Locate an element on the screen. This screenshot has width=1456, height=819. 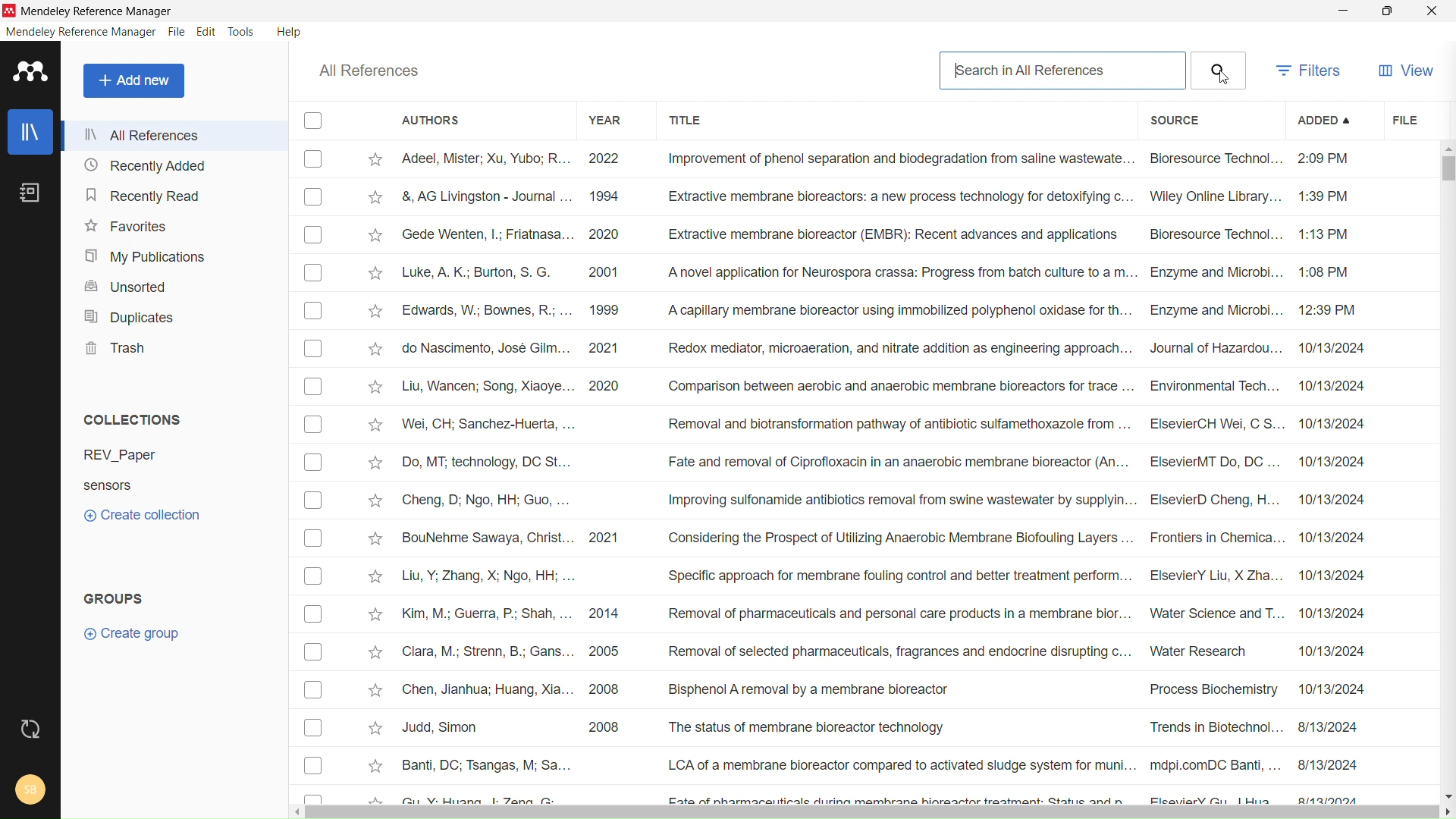
BouNehme Sawaya, Christ... 2021 Considering the Prospect of Utilizing Anaerobic Membrane Biofouling Layers ... Frontiers in Chemica... 10/13/2024 is located at coordinates (883, 536).